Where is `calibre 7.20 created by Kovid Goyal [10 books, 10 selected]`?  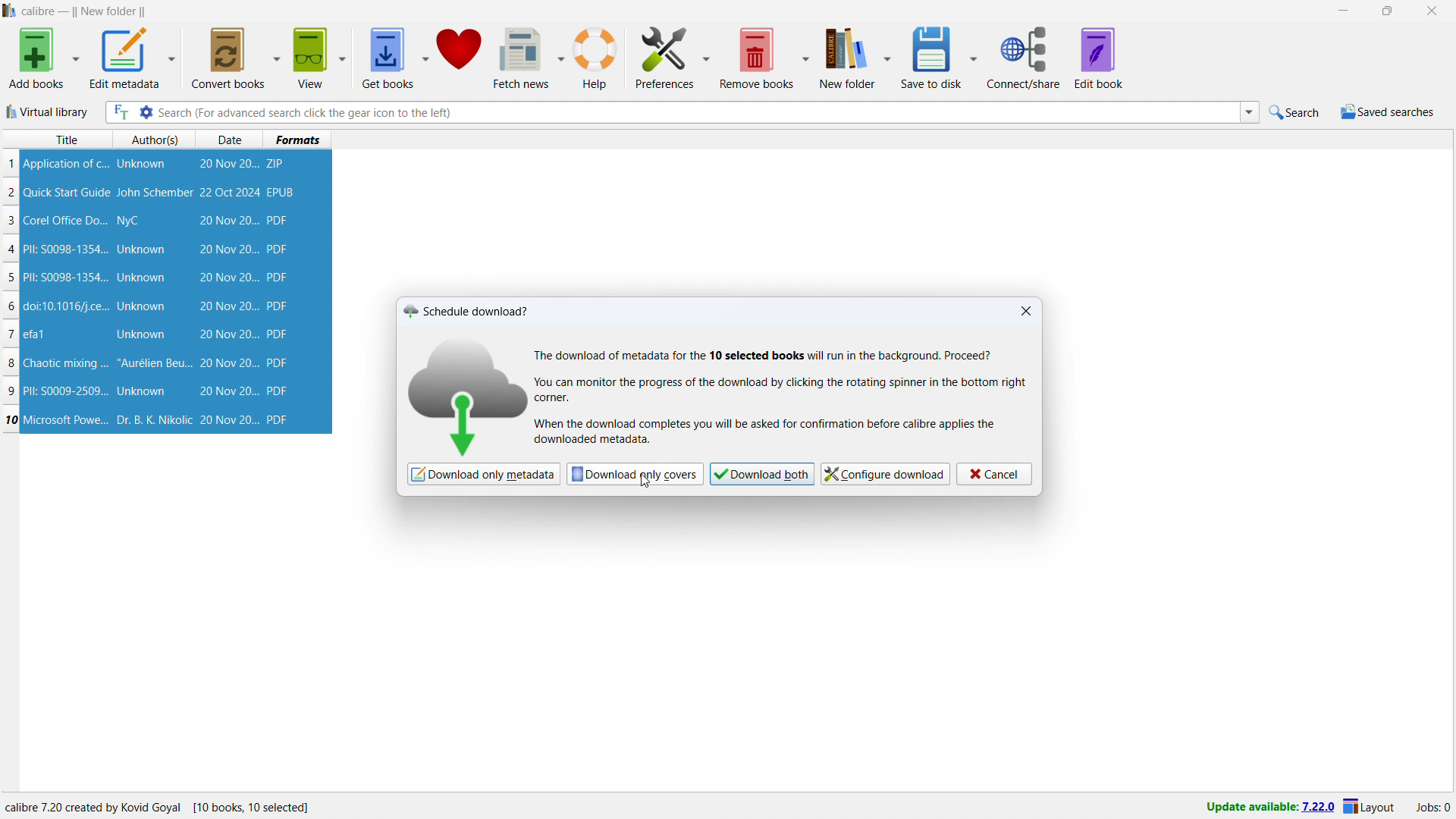
calibre 7.20 created by Kovid Goyal [10 books, 10 selected] is located at coordinates (159, 808).